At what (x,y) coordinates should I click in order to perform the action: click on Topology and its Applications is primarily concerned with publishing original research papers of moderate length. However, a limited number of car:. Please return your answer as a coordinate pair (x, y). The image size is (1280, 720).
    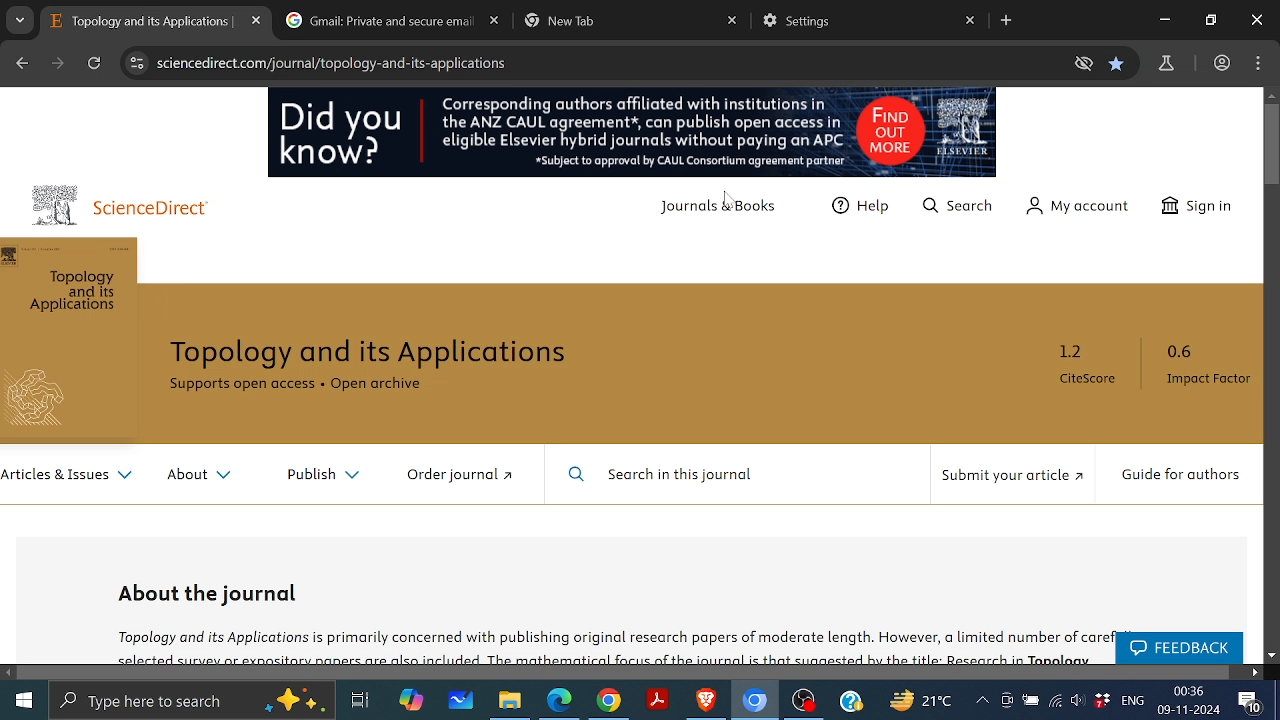
    Looking at the image, I should click on (603, 640).